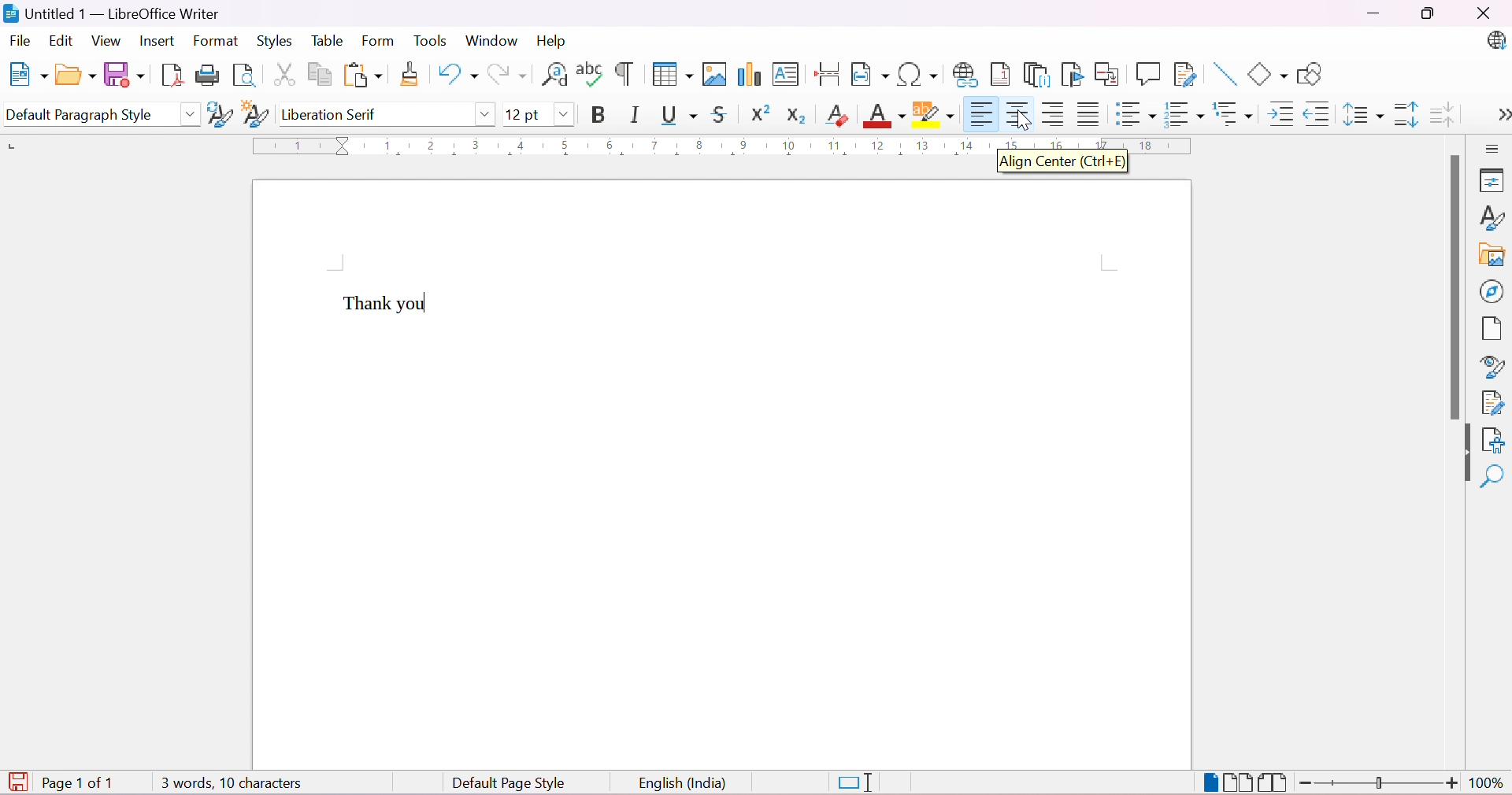 This screenshot has height=795, width=1512. What do you see at coordinates (17, 781) in the screenshot?
I see `The document has been modified. Click to save the document.` at bounding box center [17, 781].